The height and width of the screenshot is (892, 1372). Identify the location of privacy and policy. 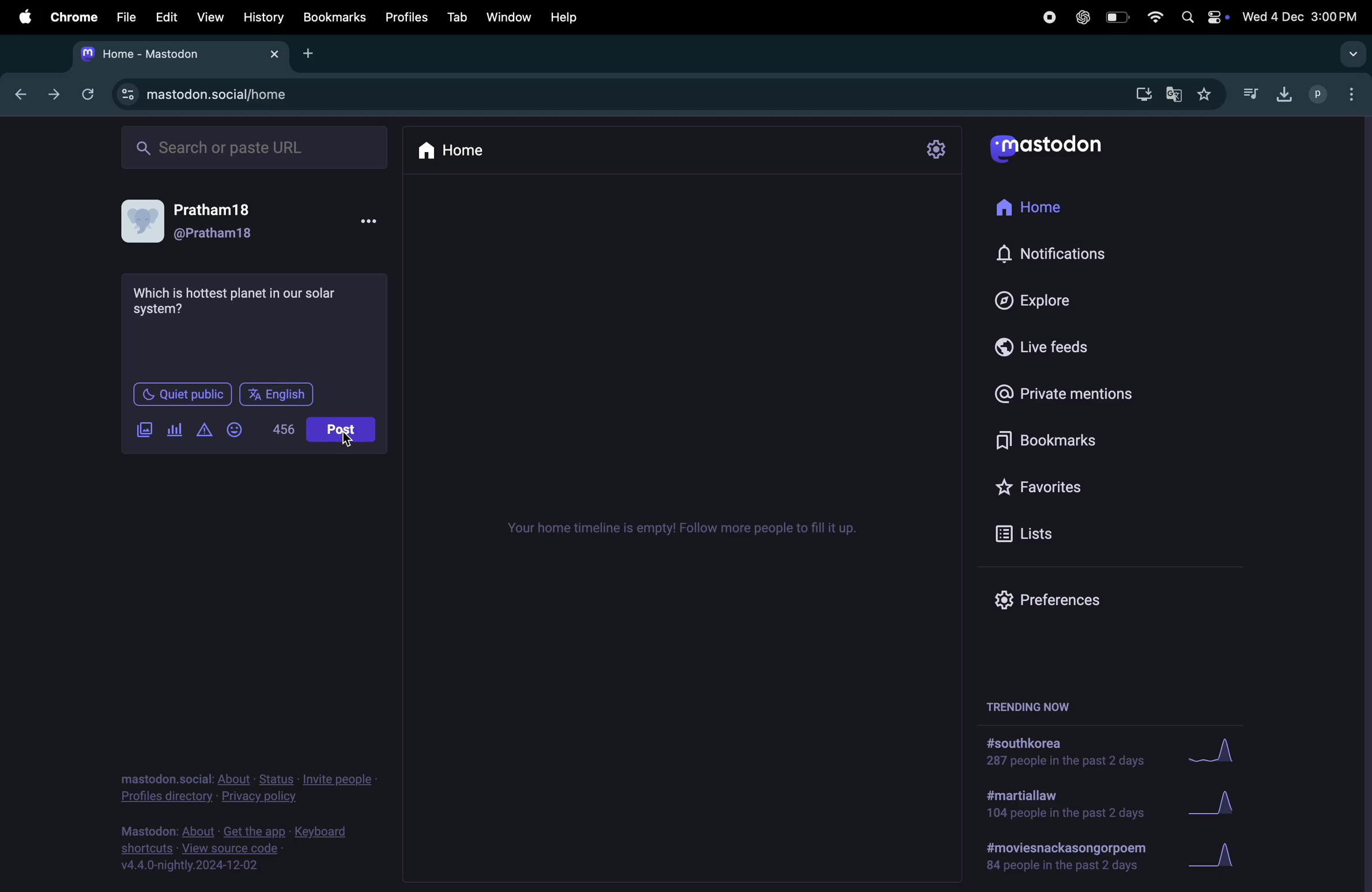
(244, 785).